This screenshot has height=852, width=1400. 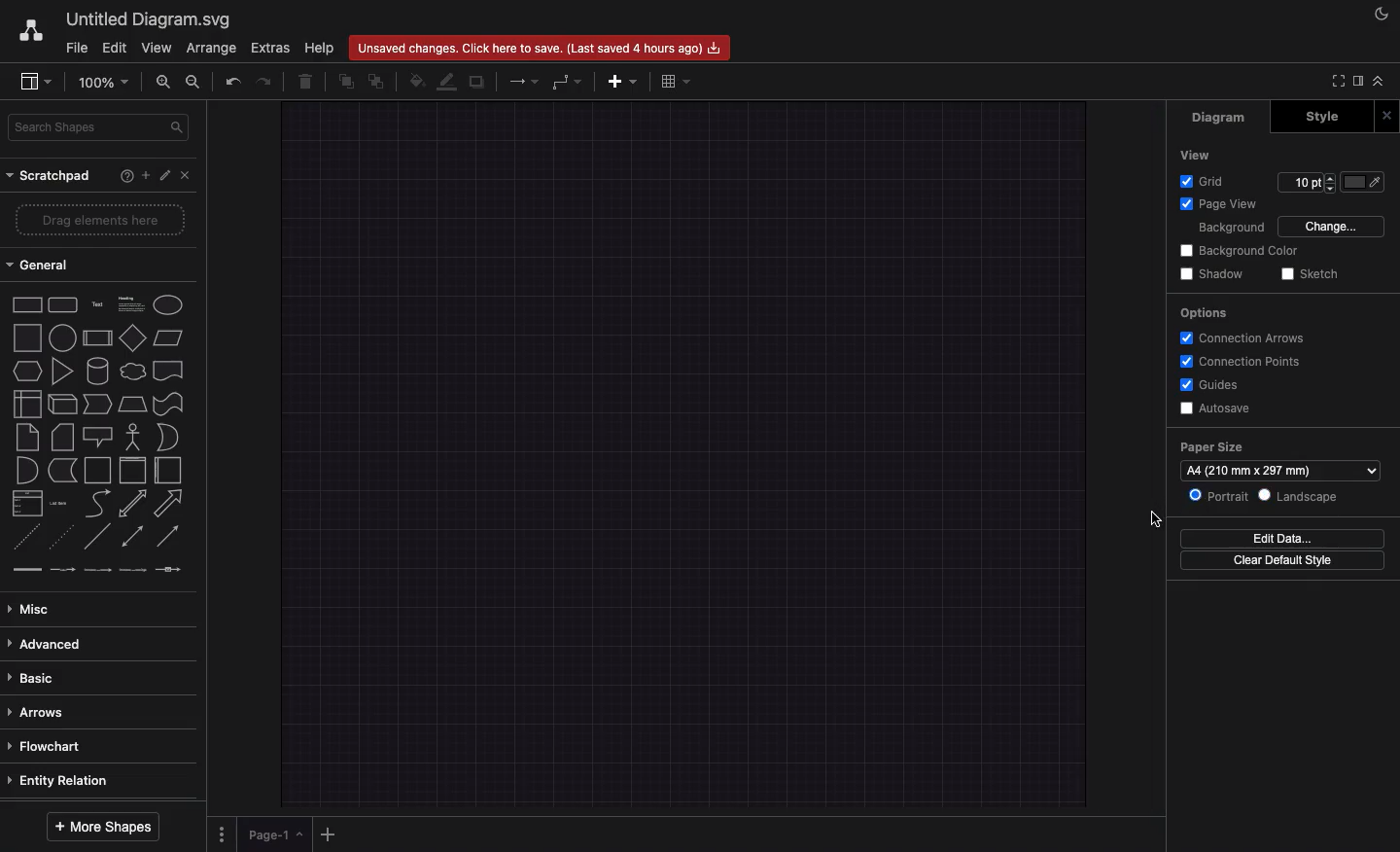 What do you see at coordinates (539, 46) in the screenshot?
I see `Unsaved changes` at bounding box center [539, 46].